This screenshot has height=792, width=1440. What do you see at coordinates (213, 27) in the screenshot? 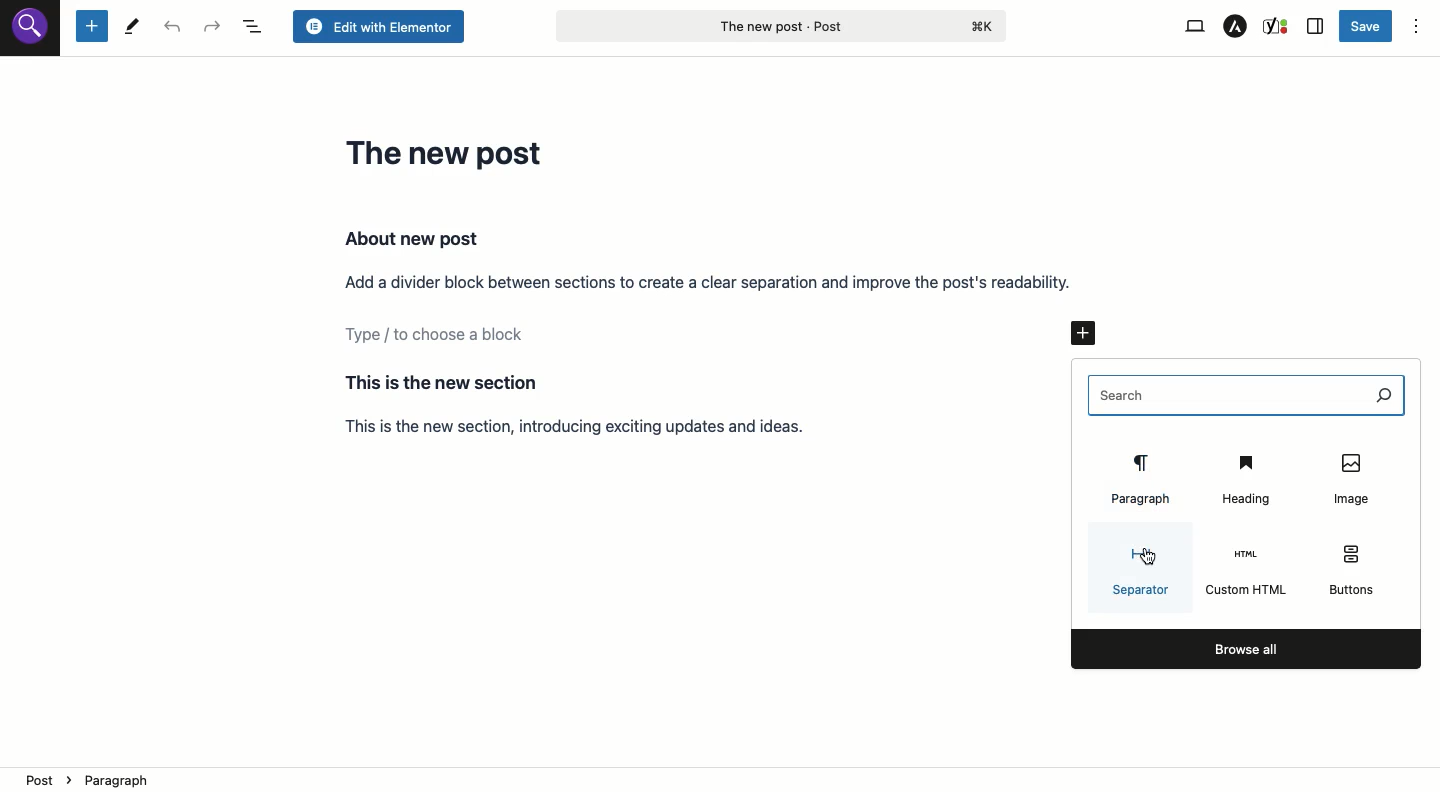
I see `Redo` at bounding box center [213, 27].